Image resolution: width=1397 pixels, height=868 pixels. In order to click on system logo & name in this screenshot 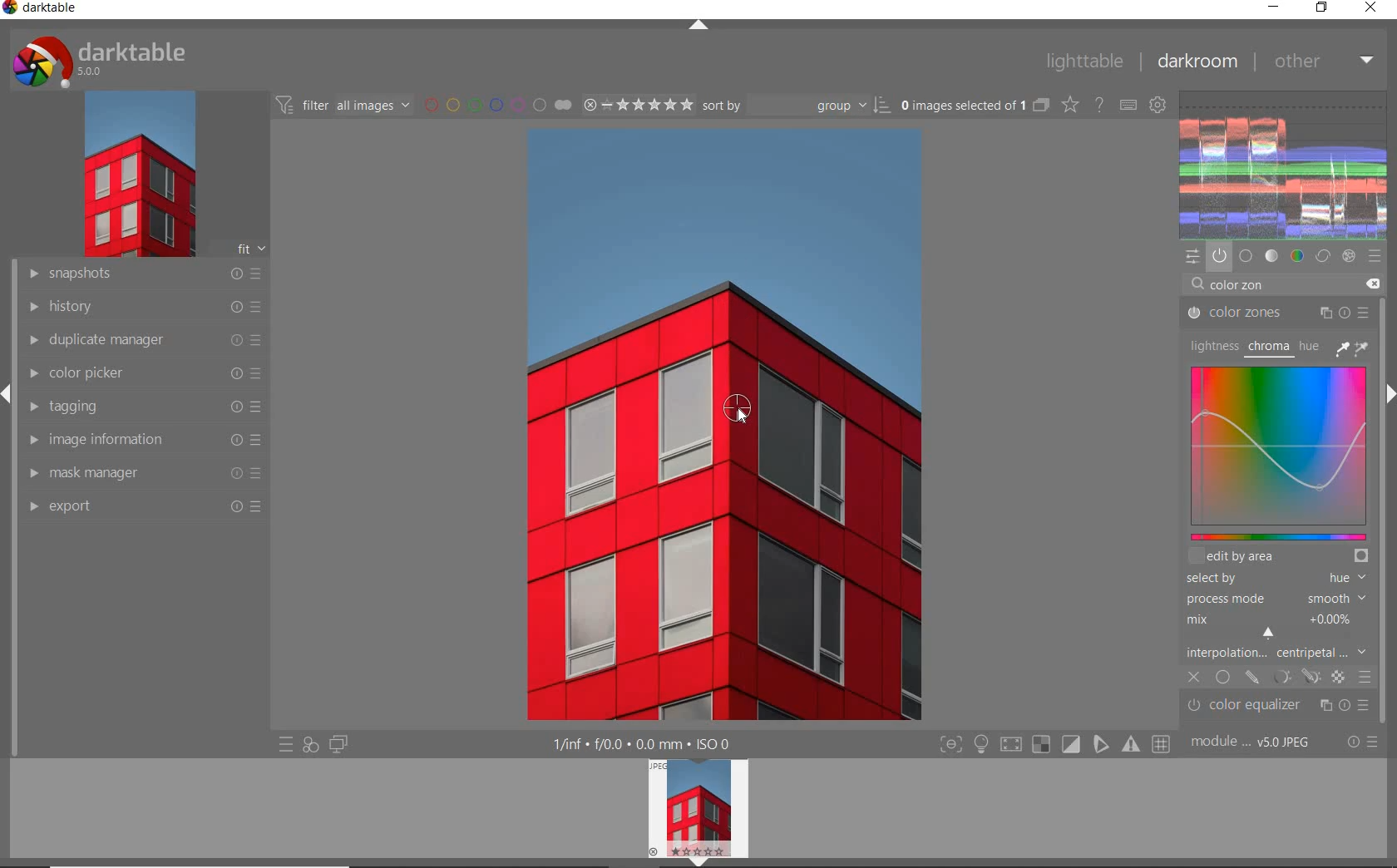, I will do `click(102, 62)`.